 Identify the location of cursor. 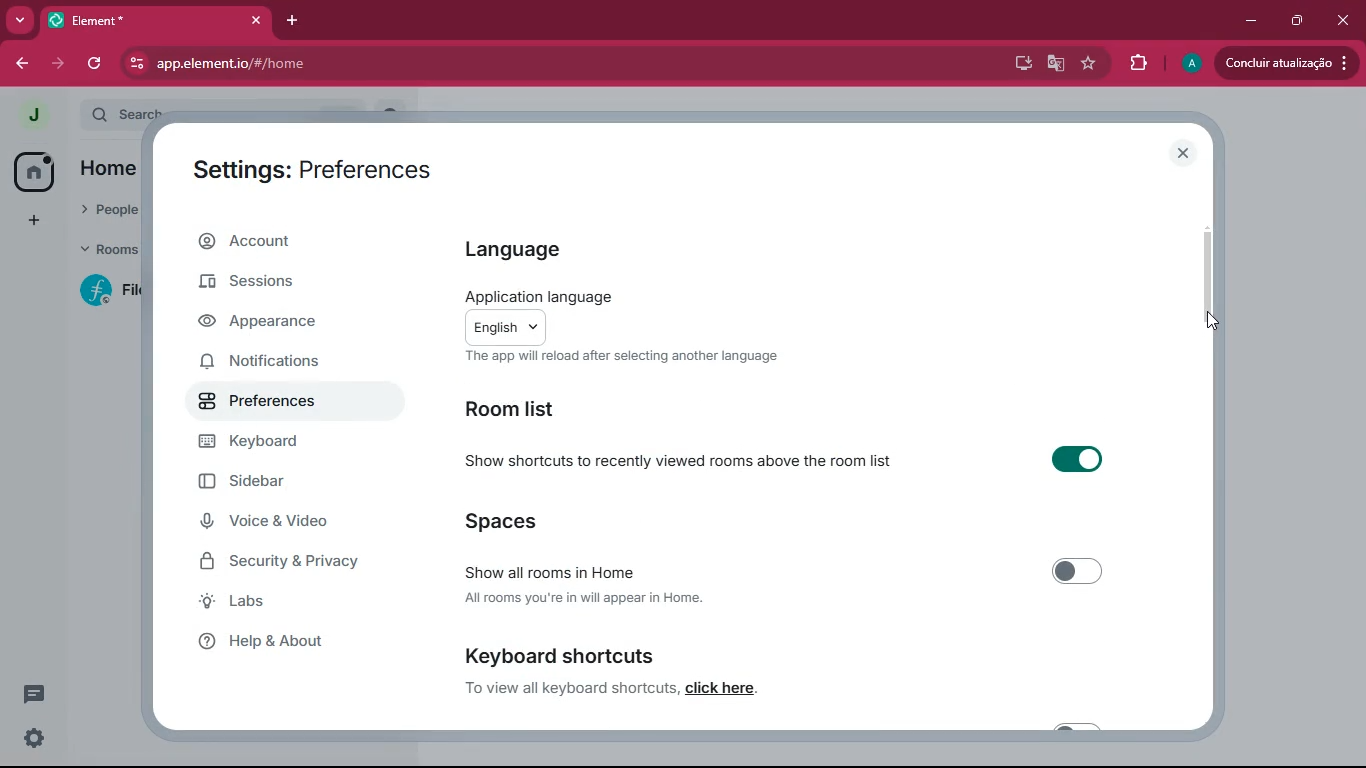
(1215, 322).